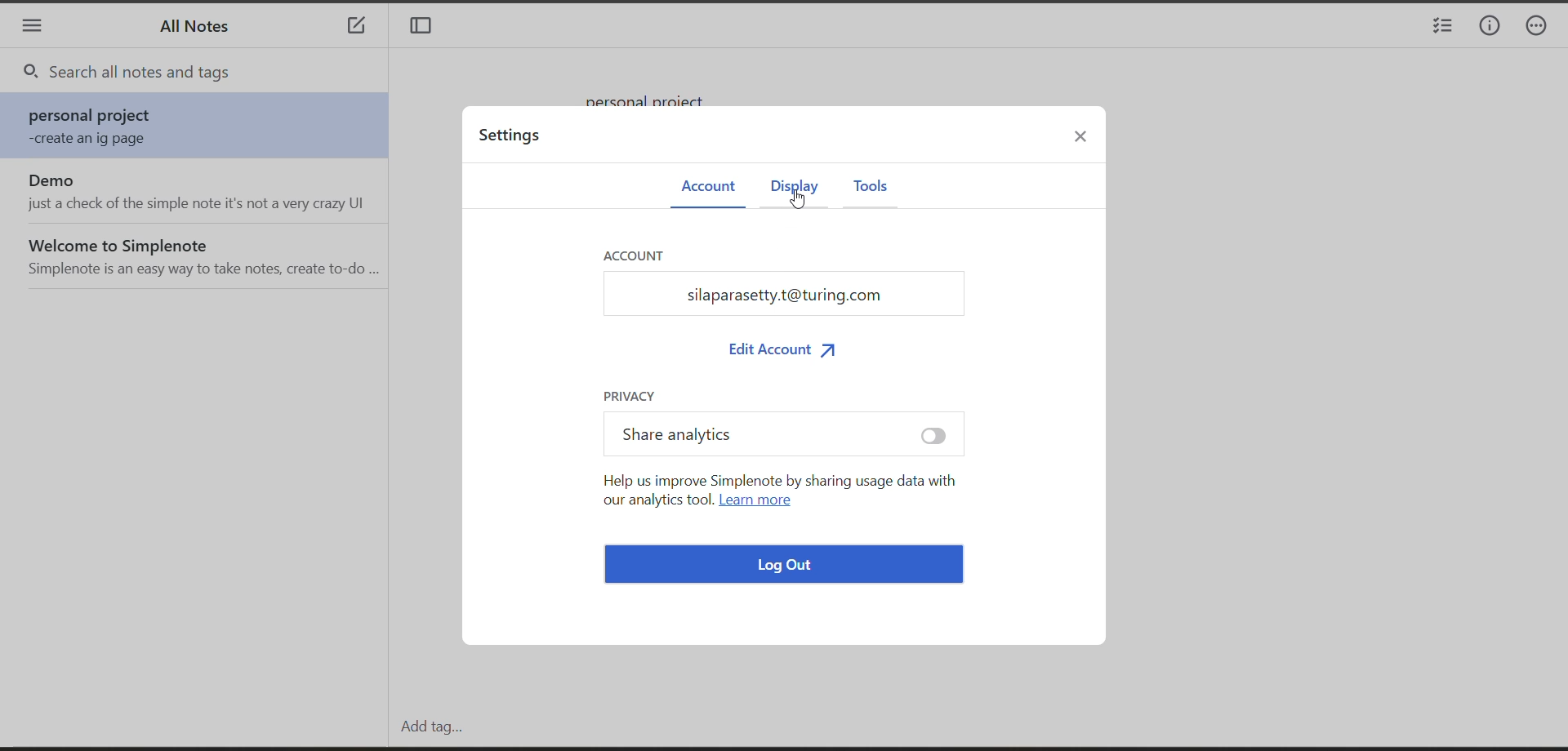  Describe the element at coordinates (200, 255) in the screenshot. I see `note 3` at that location.